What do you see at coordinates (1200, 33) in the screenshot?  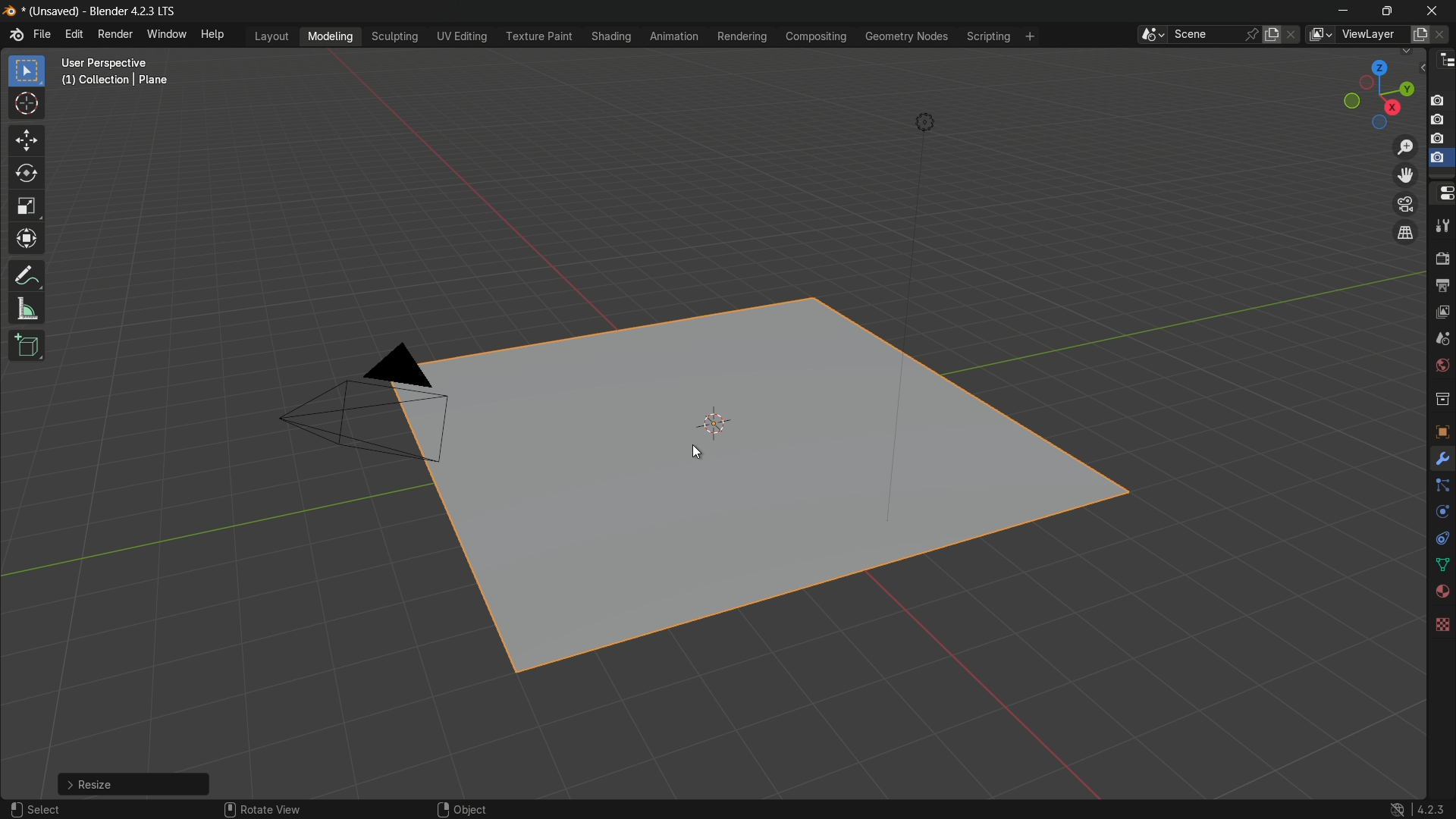 I see `scene name` at bounding box center [1200, 33].